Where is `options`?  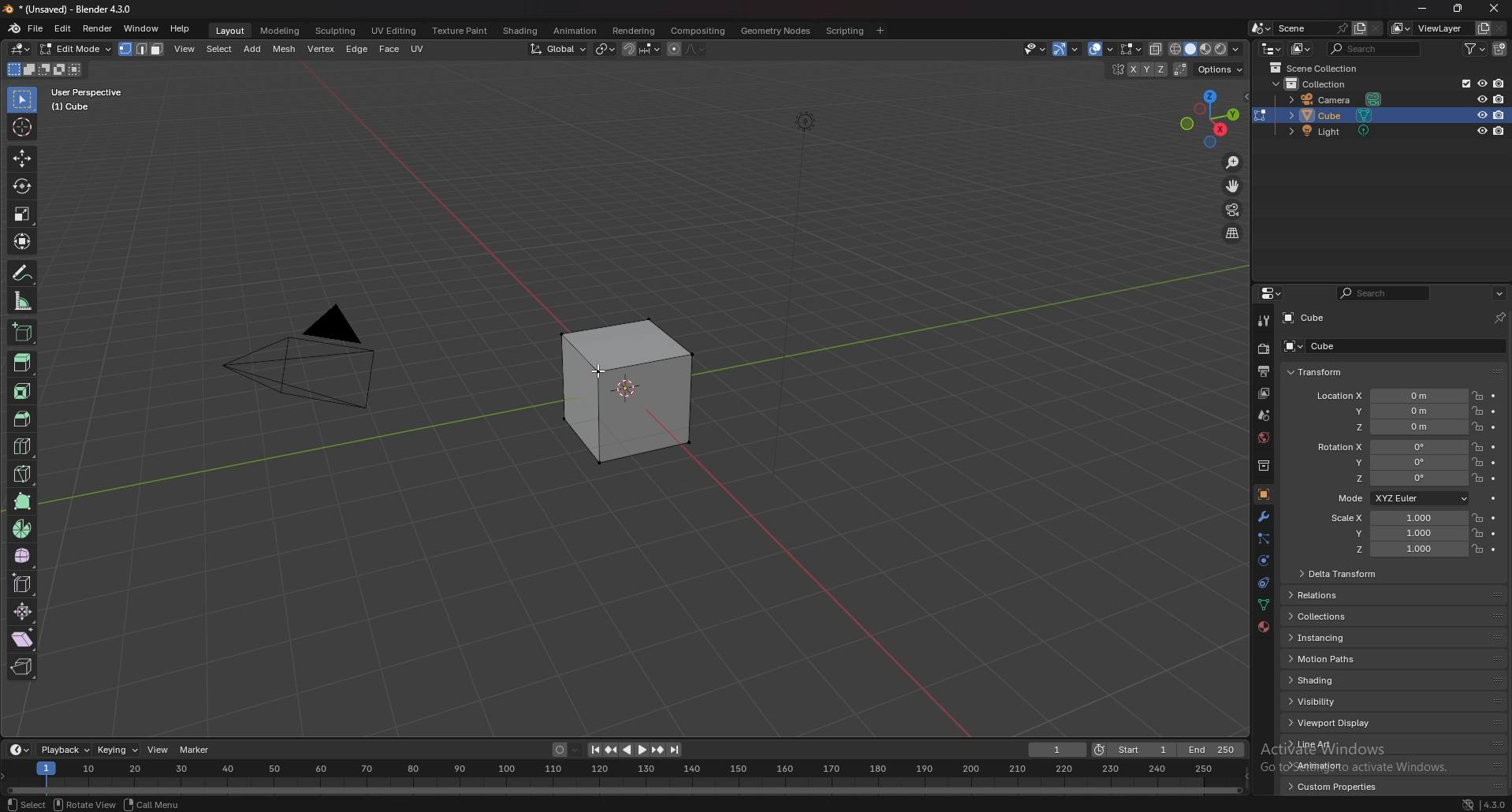 options is located at coordinates (1219, 69).